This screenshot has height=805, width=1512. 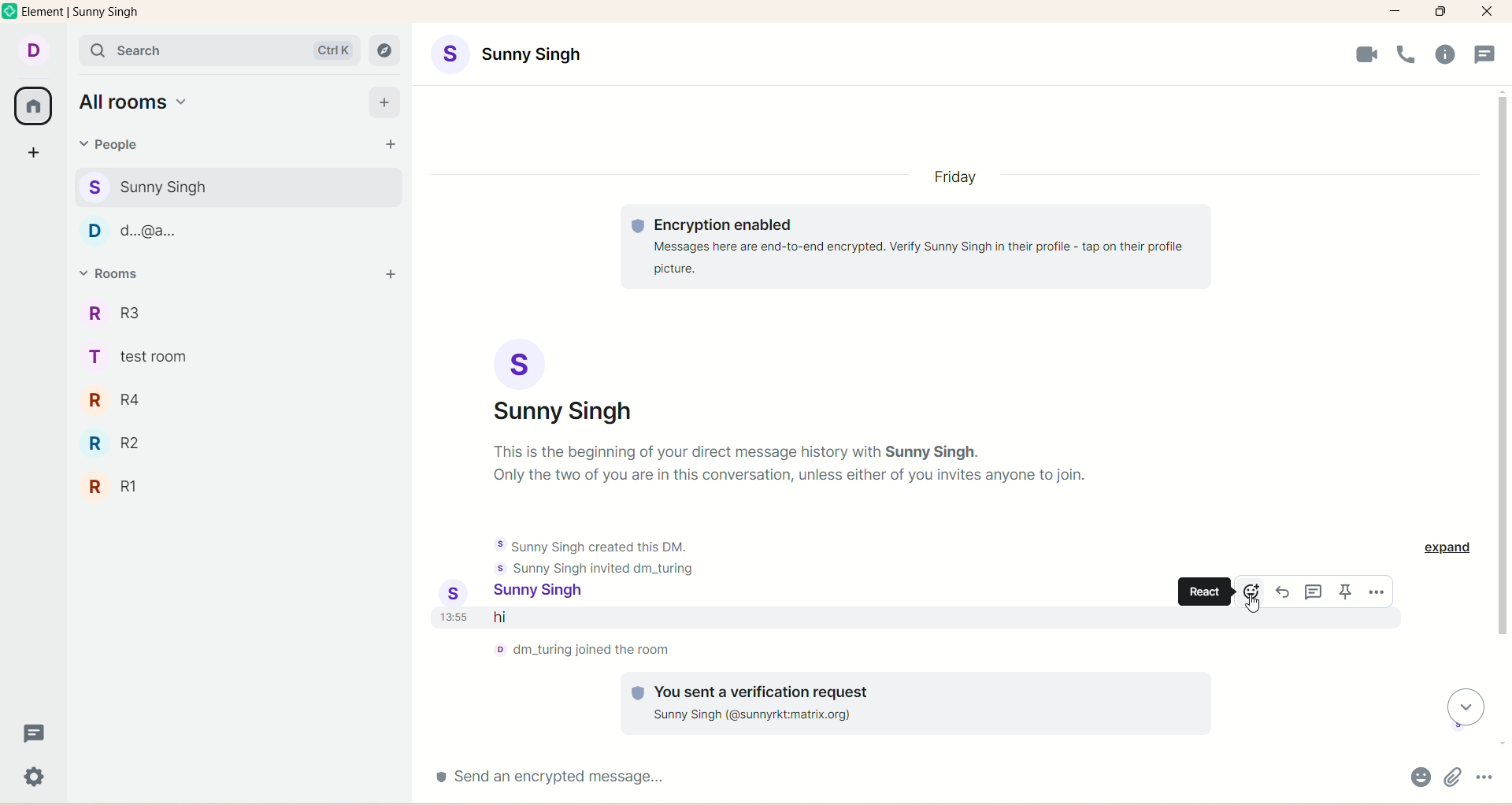 What do you see at coordinates (506, 54) in the screenshot?
I see `account` at bounding box center [506, 54].